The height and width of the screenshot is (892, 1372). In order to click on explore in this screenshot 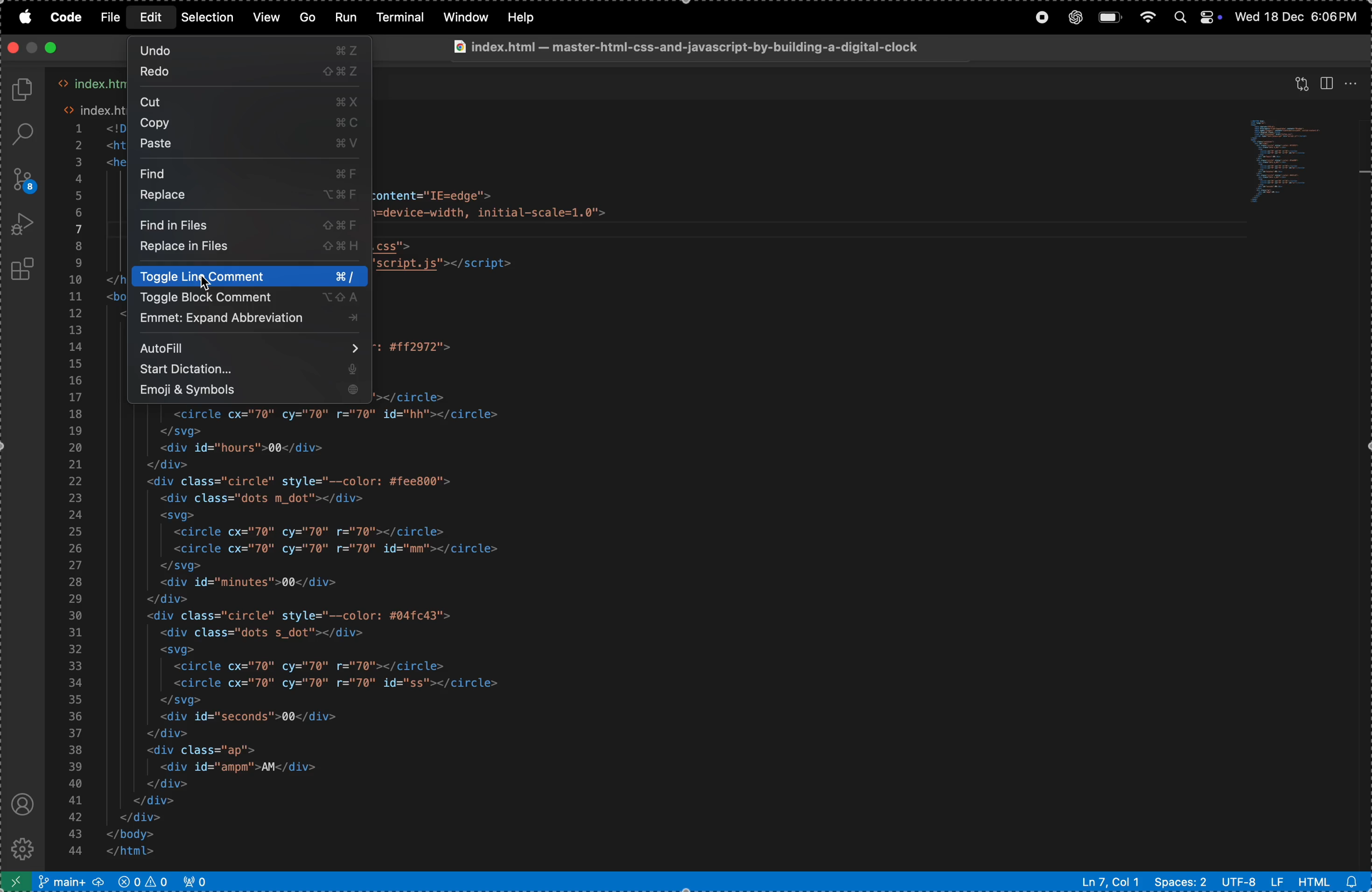, I will do `click(24, 90)`.